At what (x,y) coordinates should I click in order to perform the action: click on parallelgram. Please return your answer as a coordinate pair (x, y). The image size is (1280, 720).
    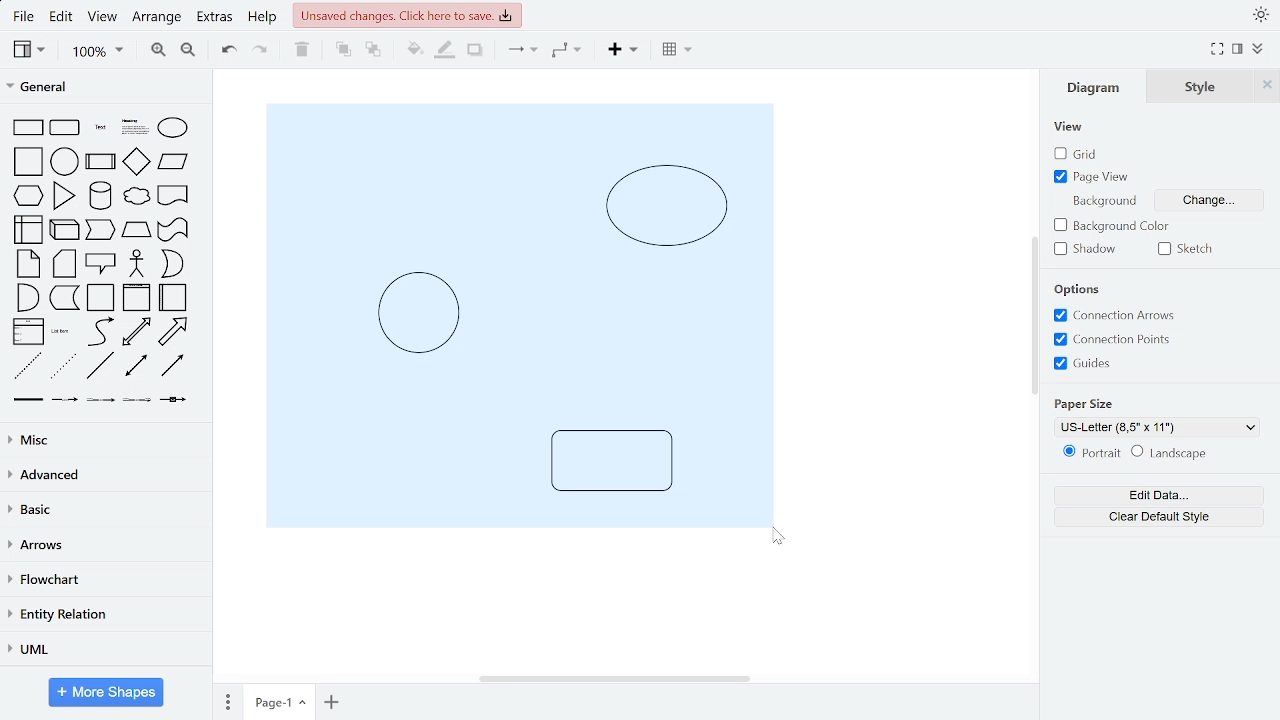
    Looking at the image, I should click on (174, 162).